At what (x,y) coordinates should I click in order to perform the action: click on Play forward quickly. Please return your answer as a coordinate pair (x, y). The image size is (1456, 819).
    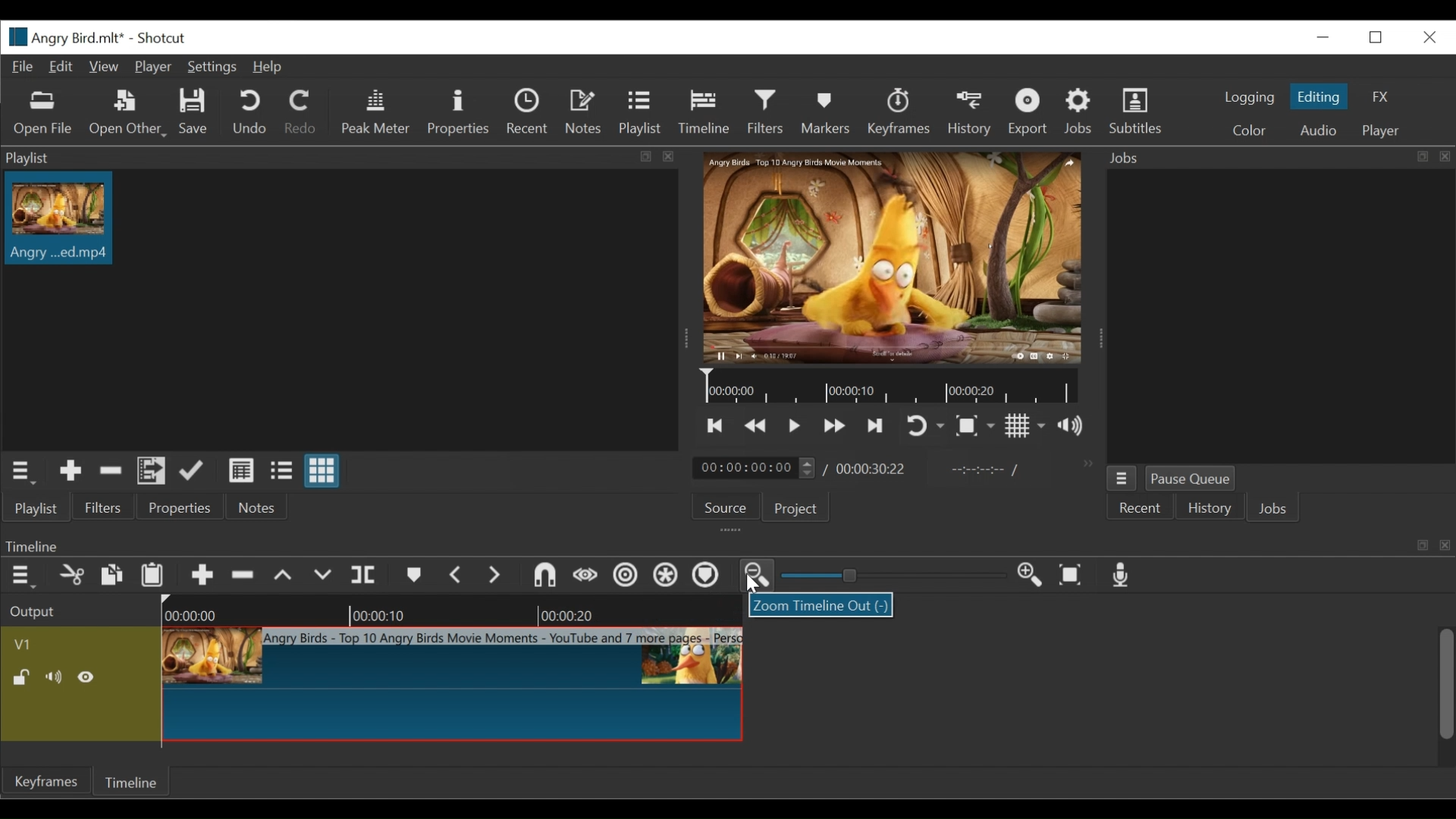
    Looking at the image, I should click on (835, 425).